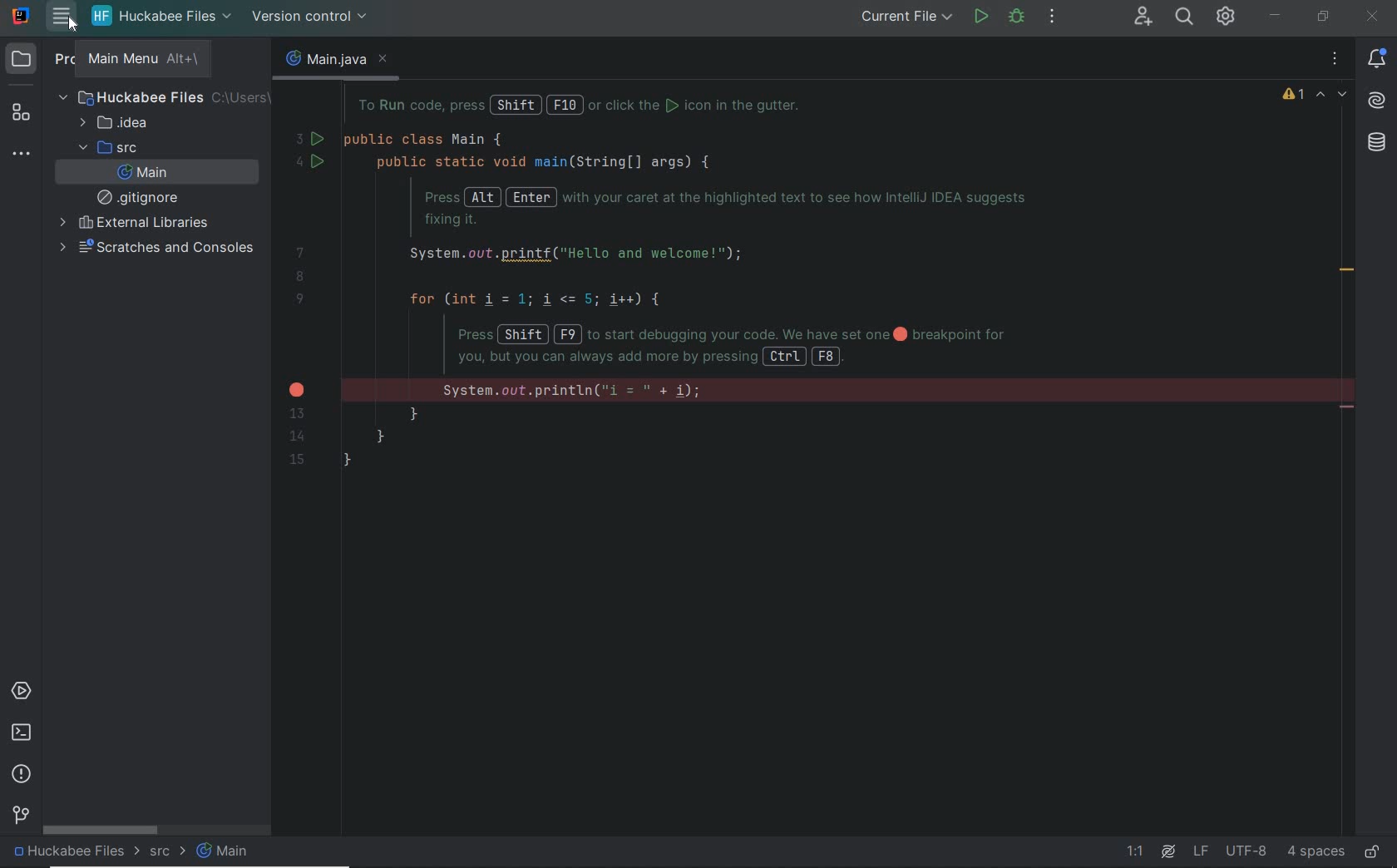  Describe the element at coordinates (74, 26) in the screenshot. I see `cursor` at that location.